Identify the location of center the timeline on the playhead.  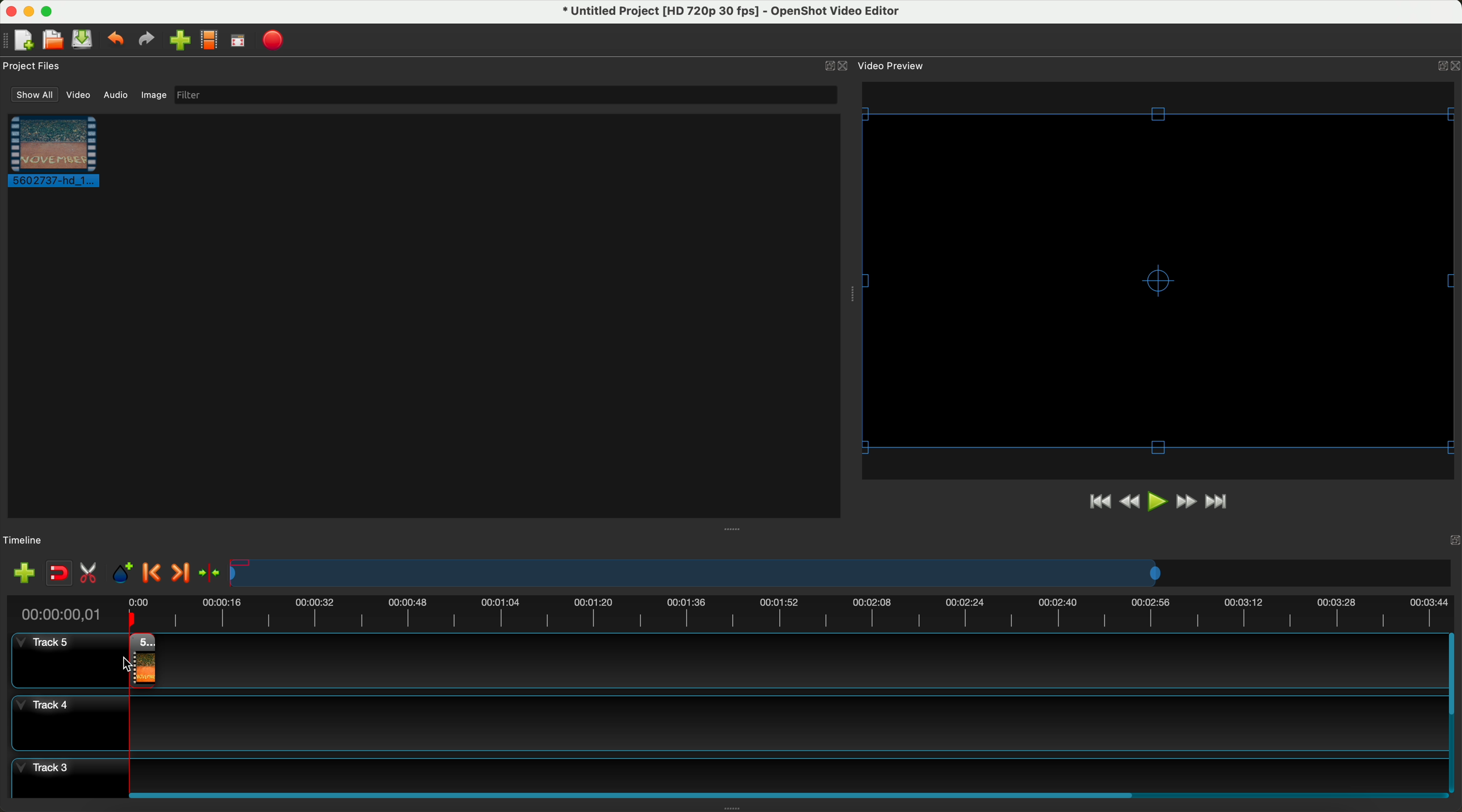
(216, 573).